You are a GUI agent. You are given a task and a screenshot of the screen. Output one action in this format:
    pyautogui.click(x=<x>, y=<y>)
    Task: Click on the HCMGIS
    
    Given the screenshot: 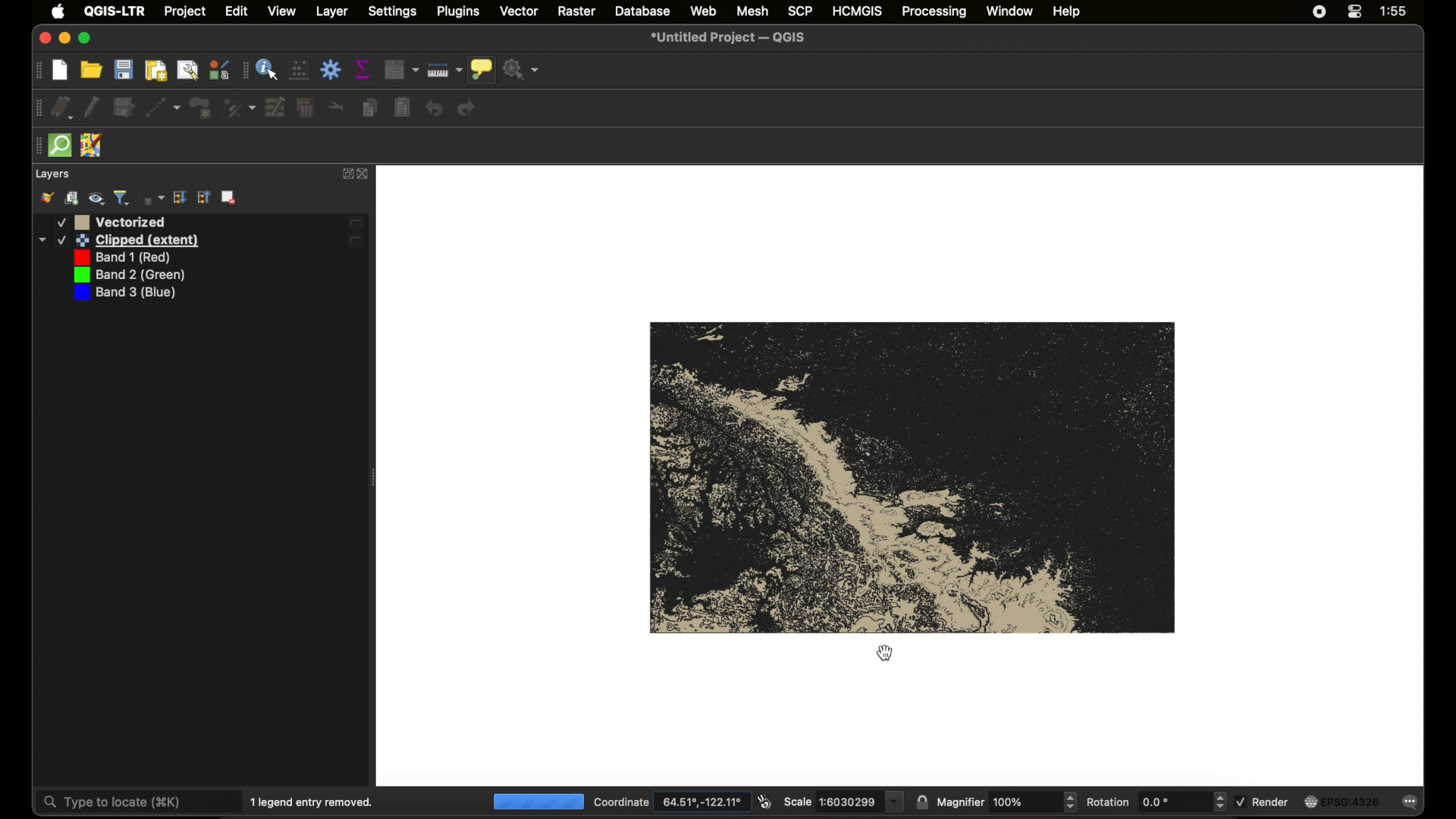 What is the action you would take?
    pyautogui.click(x=857, y=11)
    